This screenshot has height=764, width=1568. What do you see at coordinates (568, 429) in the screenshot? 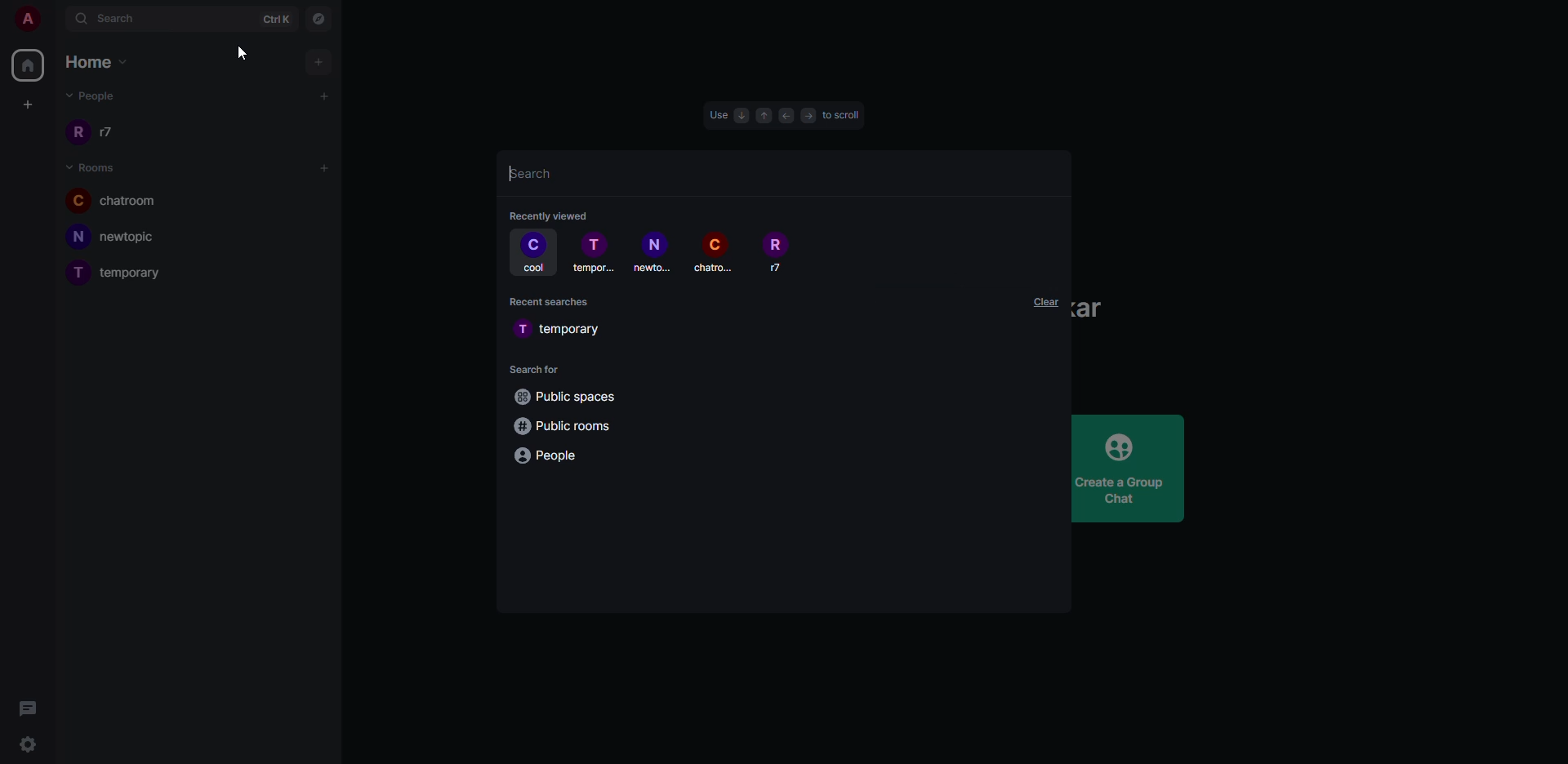
I see `public rooms` at bounding box center [568, 429].